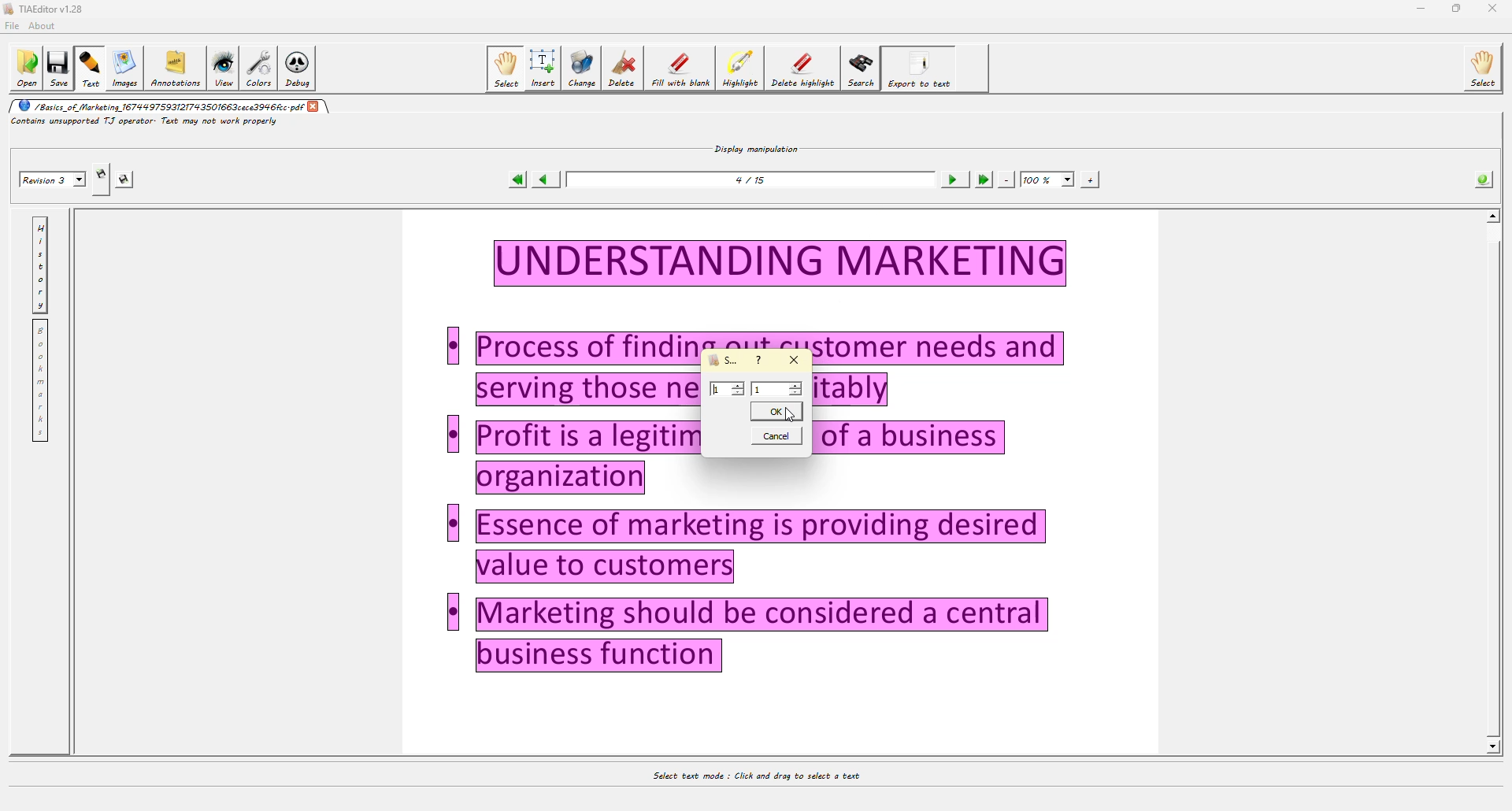  What do you see at coordinates (39, 380) in the screenshot?
I see `bookmarks` at bounding box center [39, 380].